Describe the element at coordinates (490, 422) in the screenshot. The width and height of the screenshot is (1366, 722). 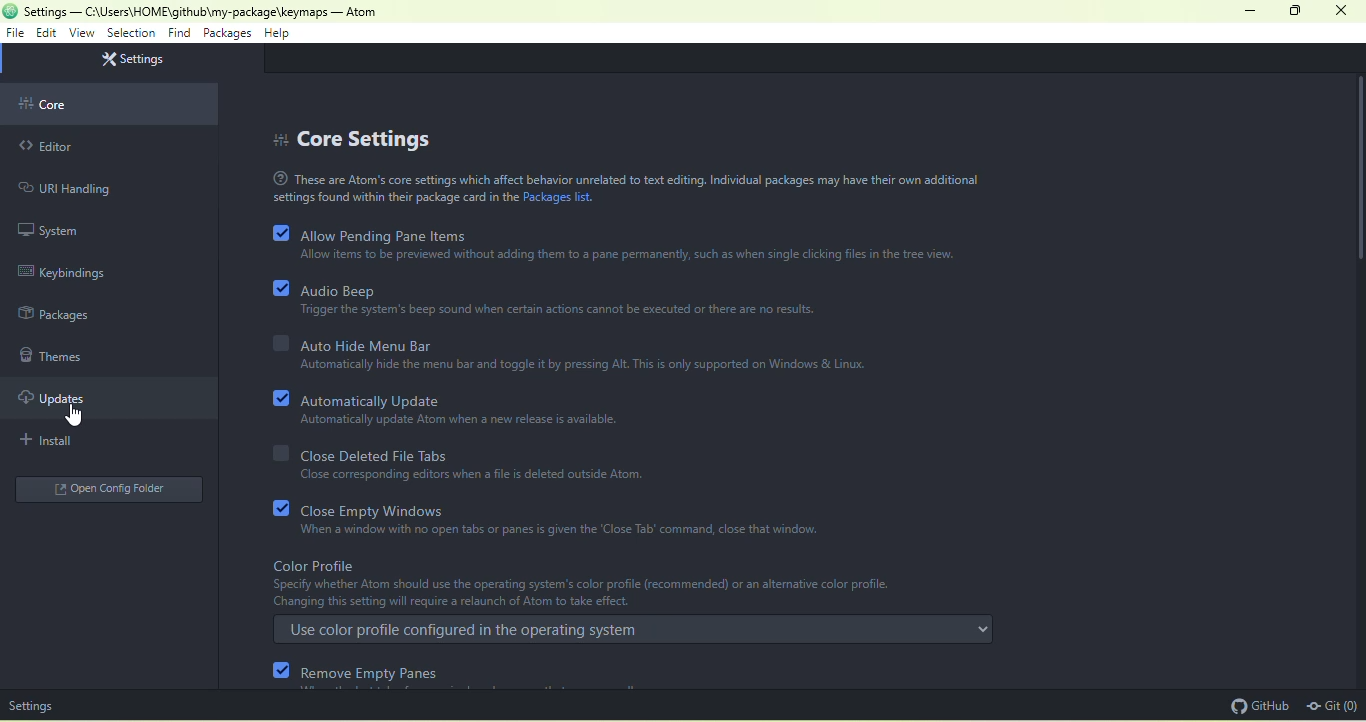
I see `text on automatically update` at that location.